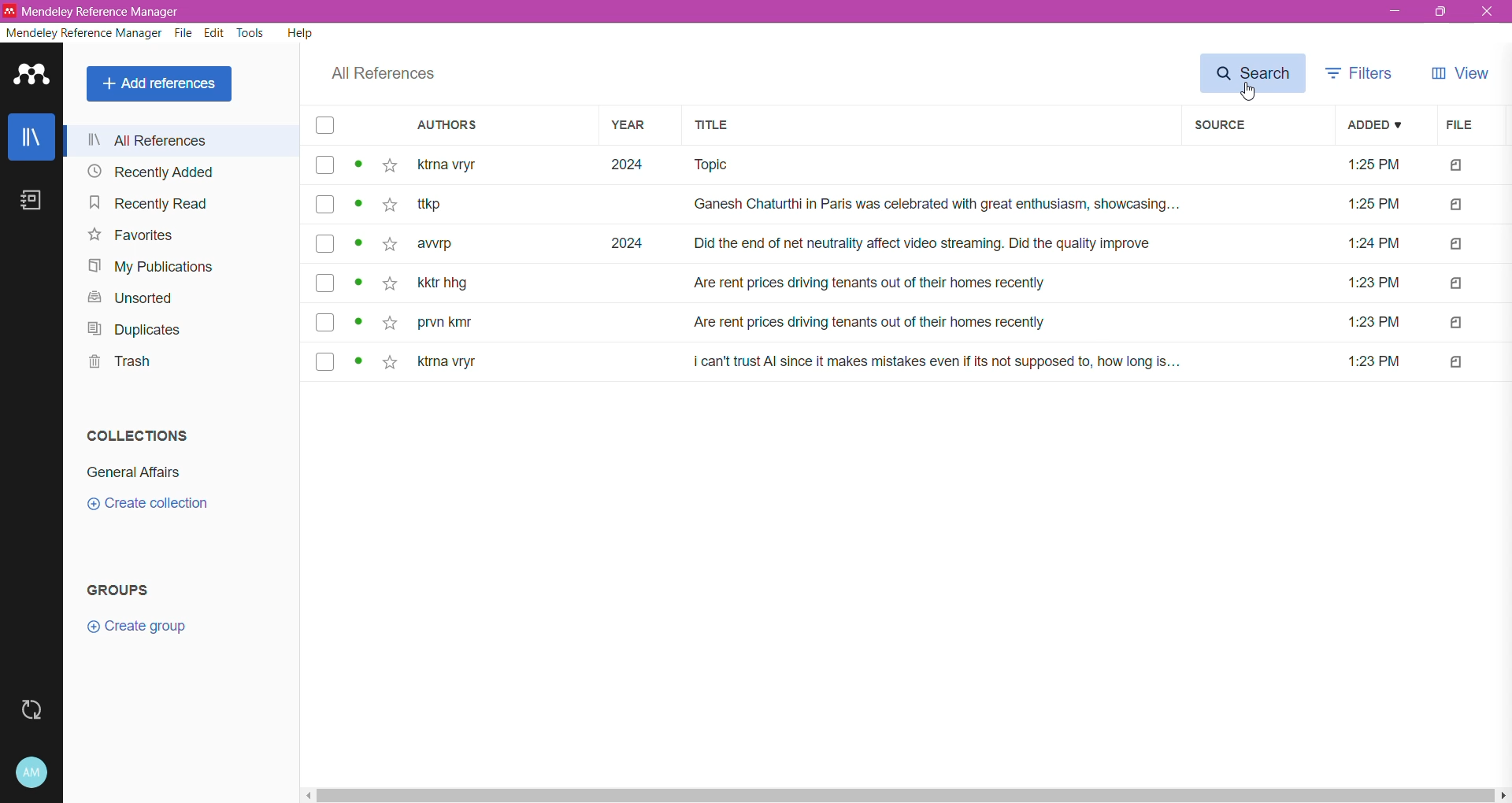 This screenshot has height=803, width=1512. I want to click on click here to add to favourites, so click(388, 204).